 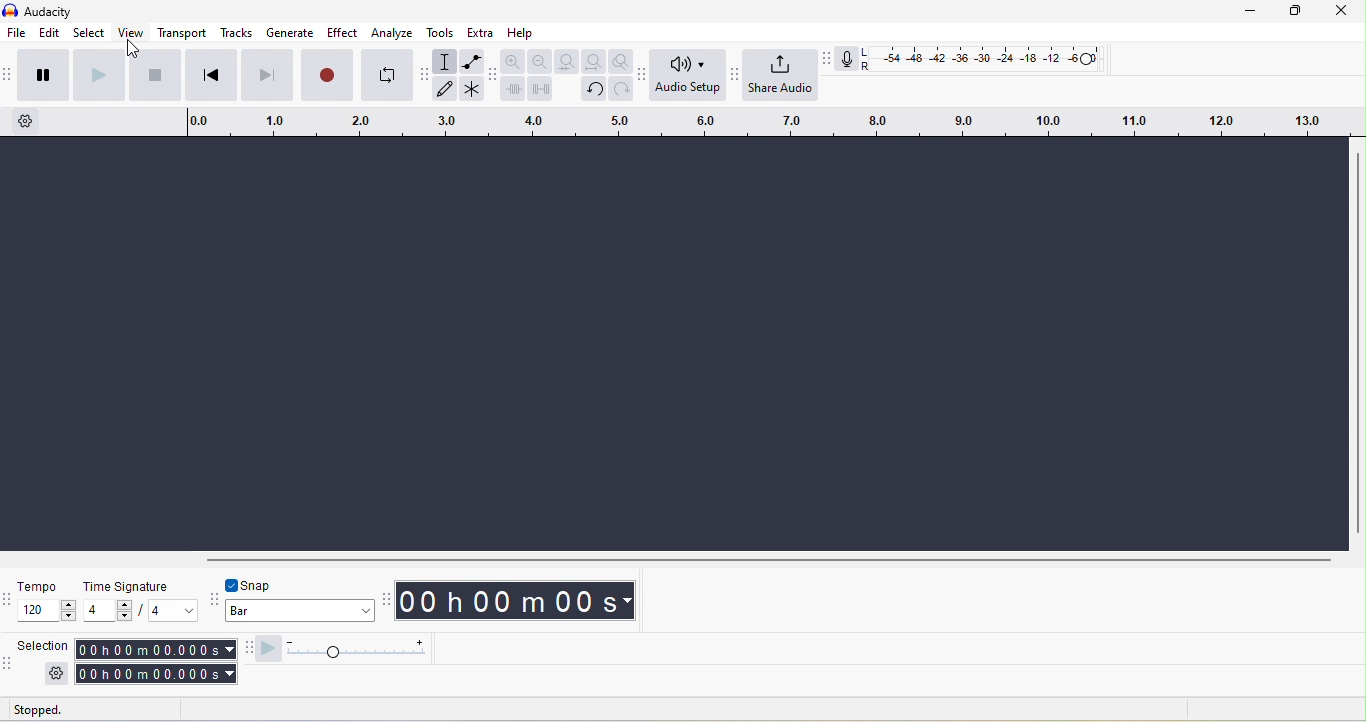 What do you see at coordinates (846, 58) in the screenshot?
I see `recording meter` at bounding box center [846, 58].